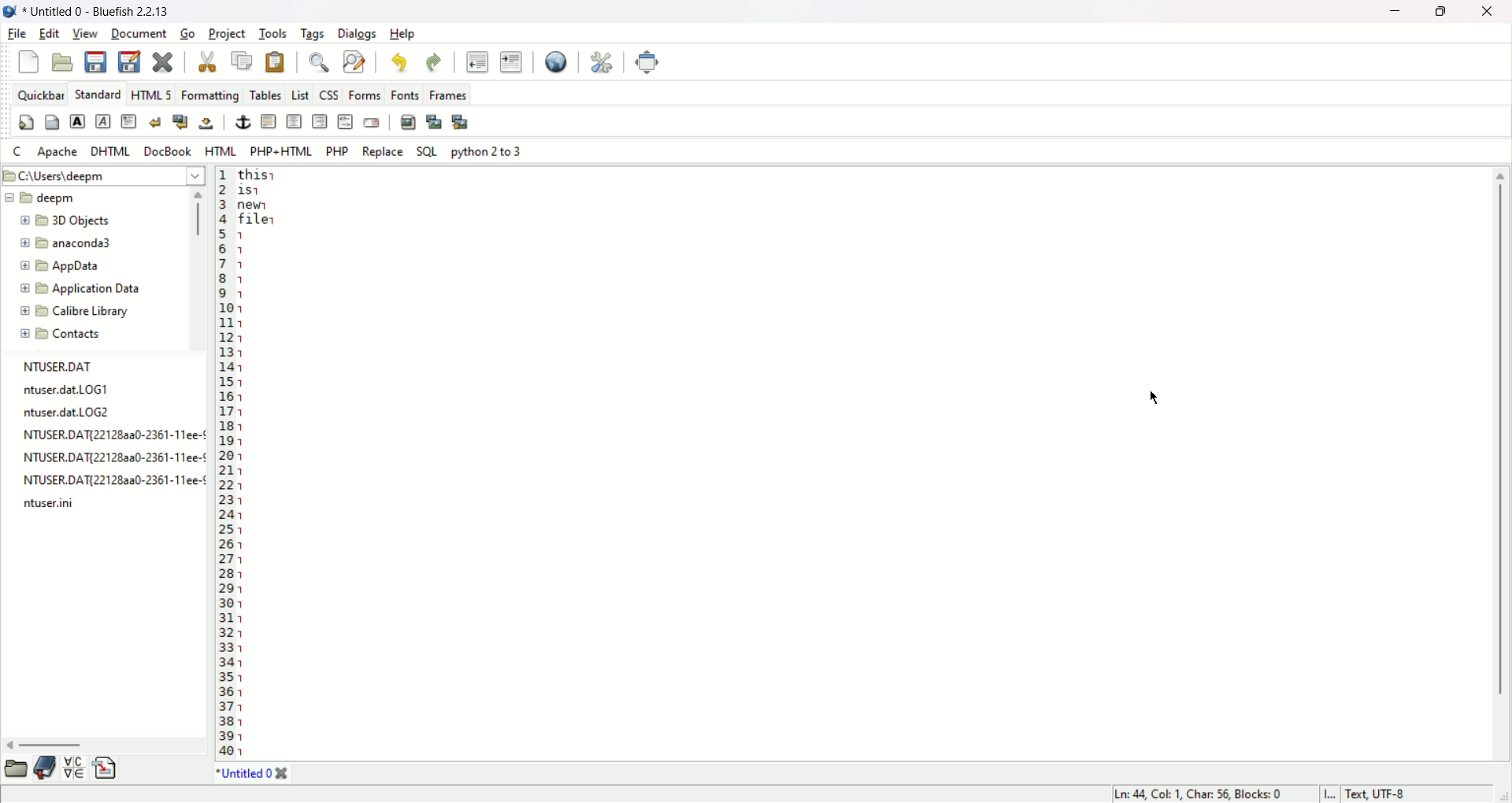  What do you see at coordinates (321, 121) in the screenshot?
I see `right justify` at bounding box center [321, 121].